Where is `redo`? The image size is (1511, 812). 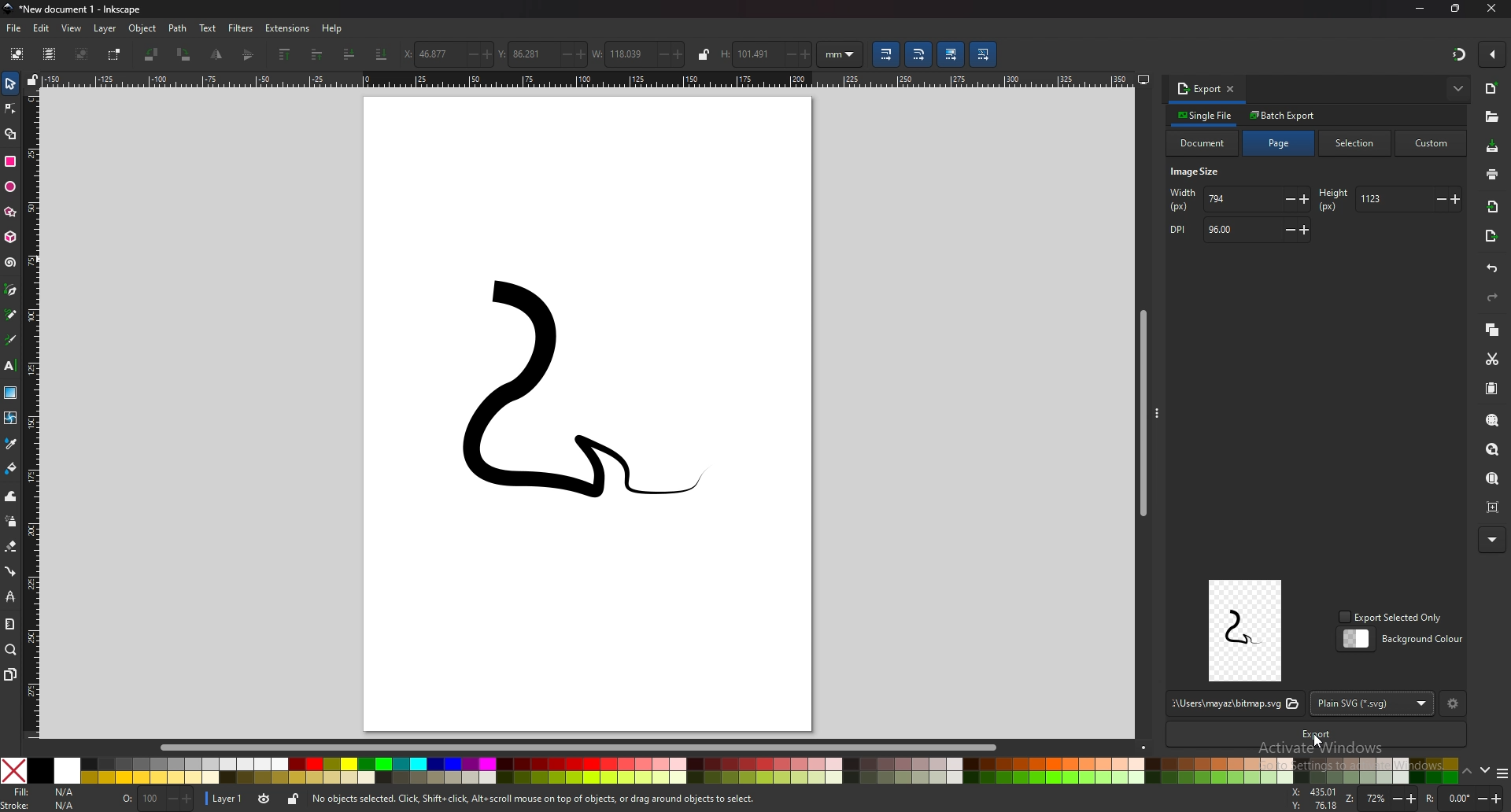
redo is located at coordinates (1494, 297).